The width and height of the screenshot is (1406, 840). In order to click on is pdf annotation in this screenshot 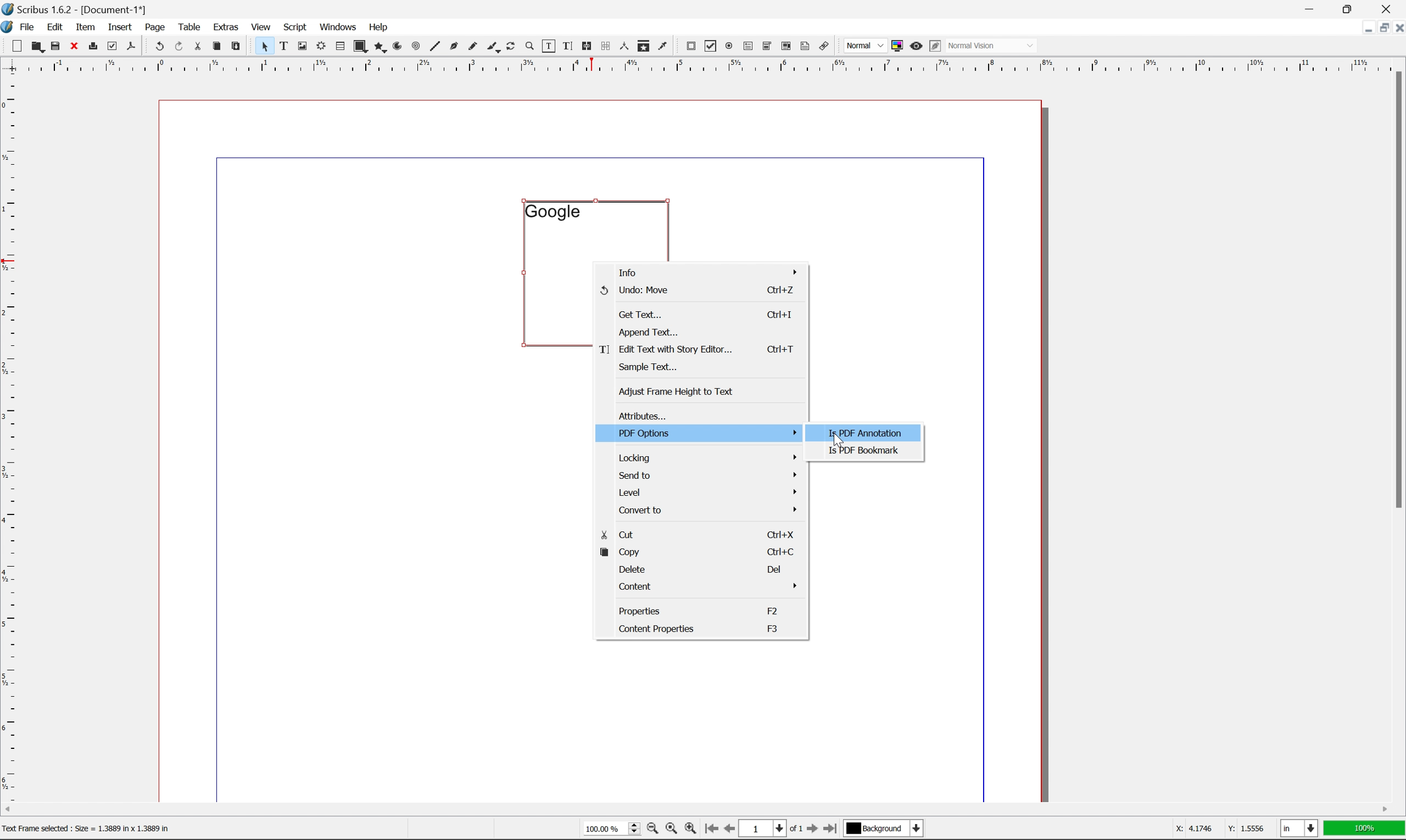, I will do `click(866, 432)`.